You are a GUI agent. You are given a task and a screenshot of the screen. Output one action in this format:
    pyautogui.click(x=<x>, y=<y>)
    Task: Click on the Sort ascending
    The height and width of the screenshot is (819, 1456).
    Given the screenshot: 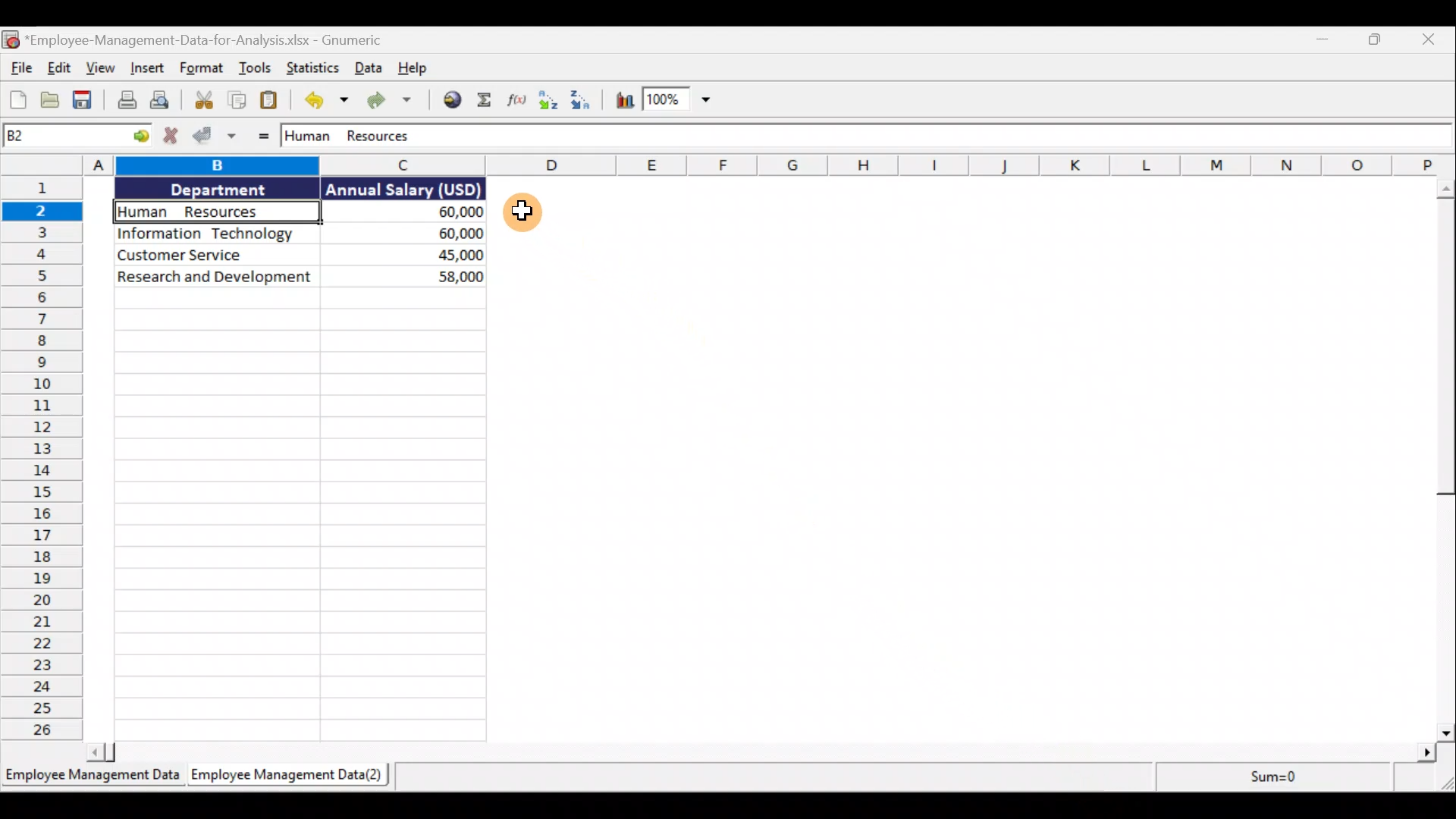 What is the action you would take?
    pyautogui.click(x=549, y=103)
    